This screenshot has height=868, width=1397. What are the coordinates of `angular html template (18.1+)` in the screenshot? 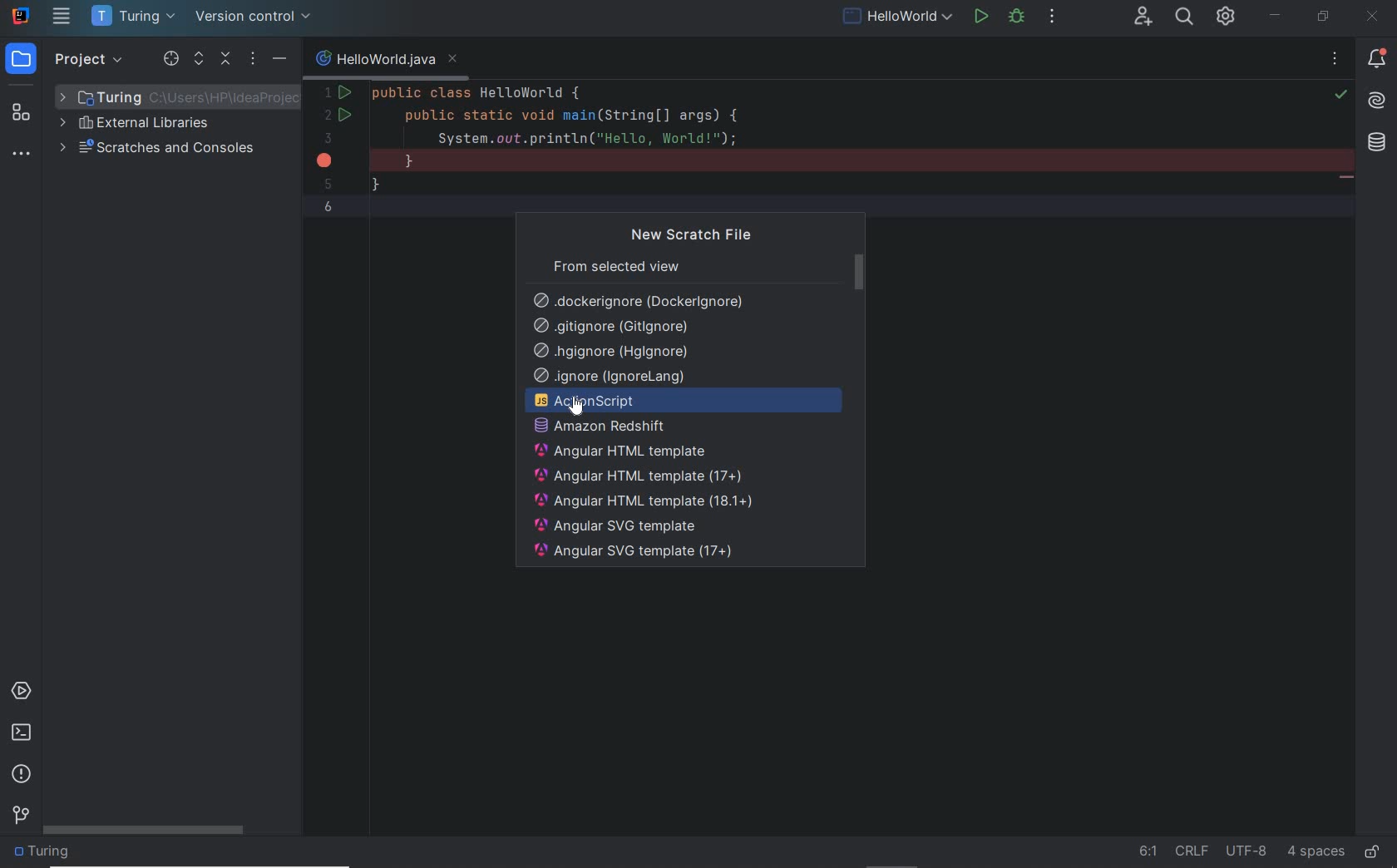 It's located at (644, 501).